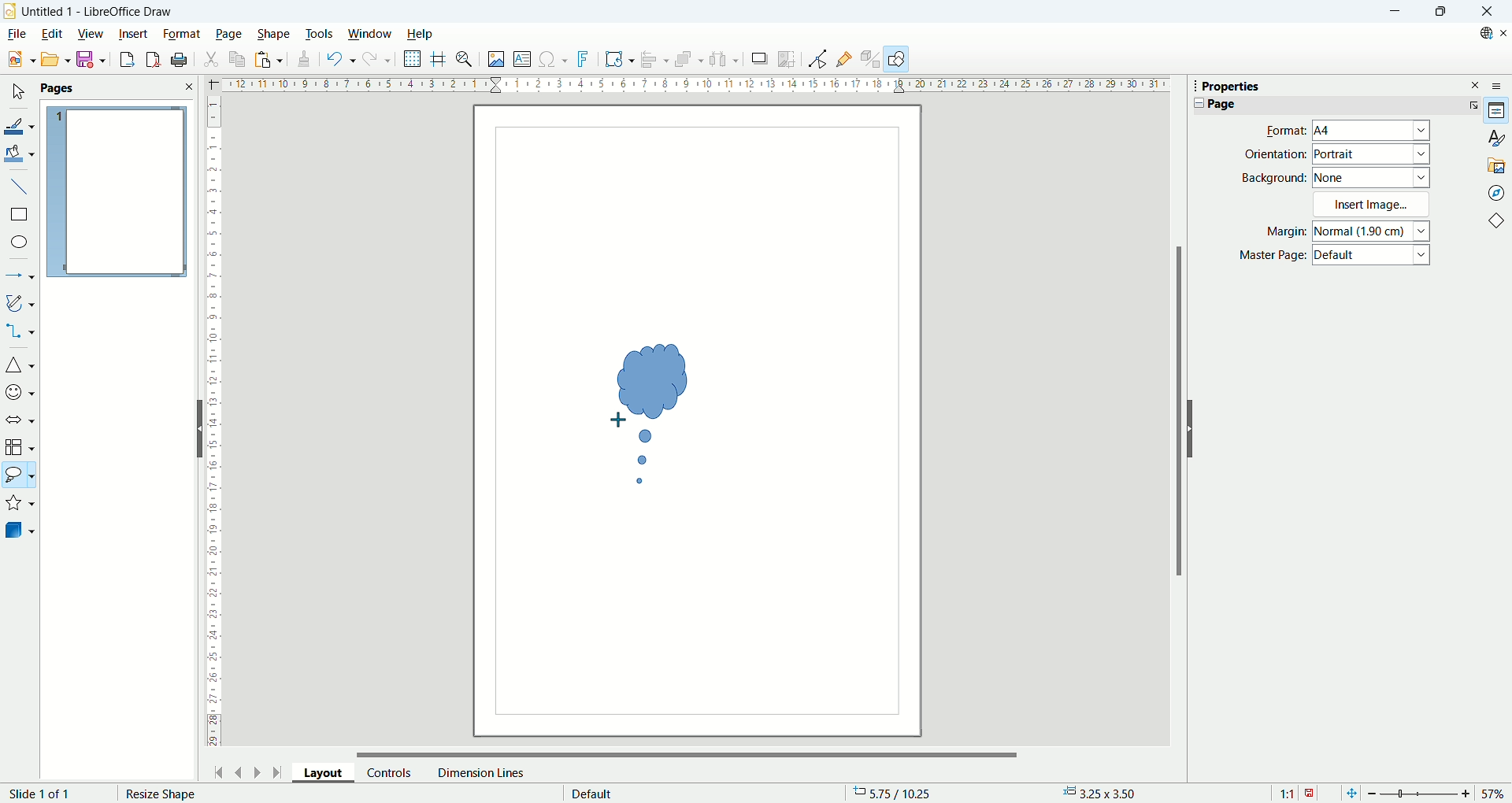 Image resolution: width=1512 pixels, height=803 pixels. Describe the element at coordinates (19, 185) in the screenshot. I see `insert line` at that location.